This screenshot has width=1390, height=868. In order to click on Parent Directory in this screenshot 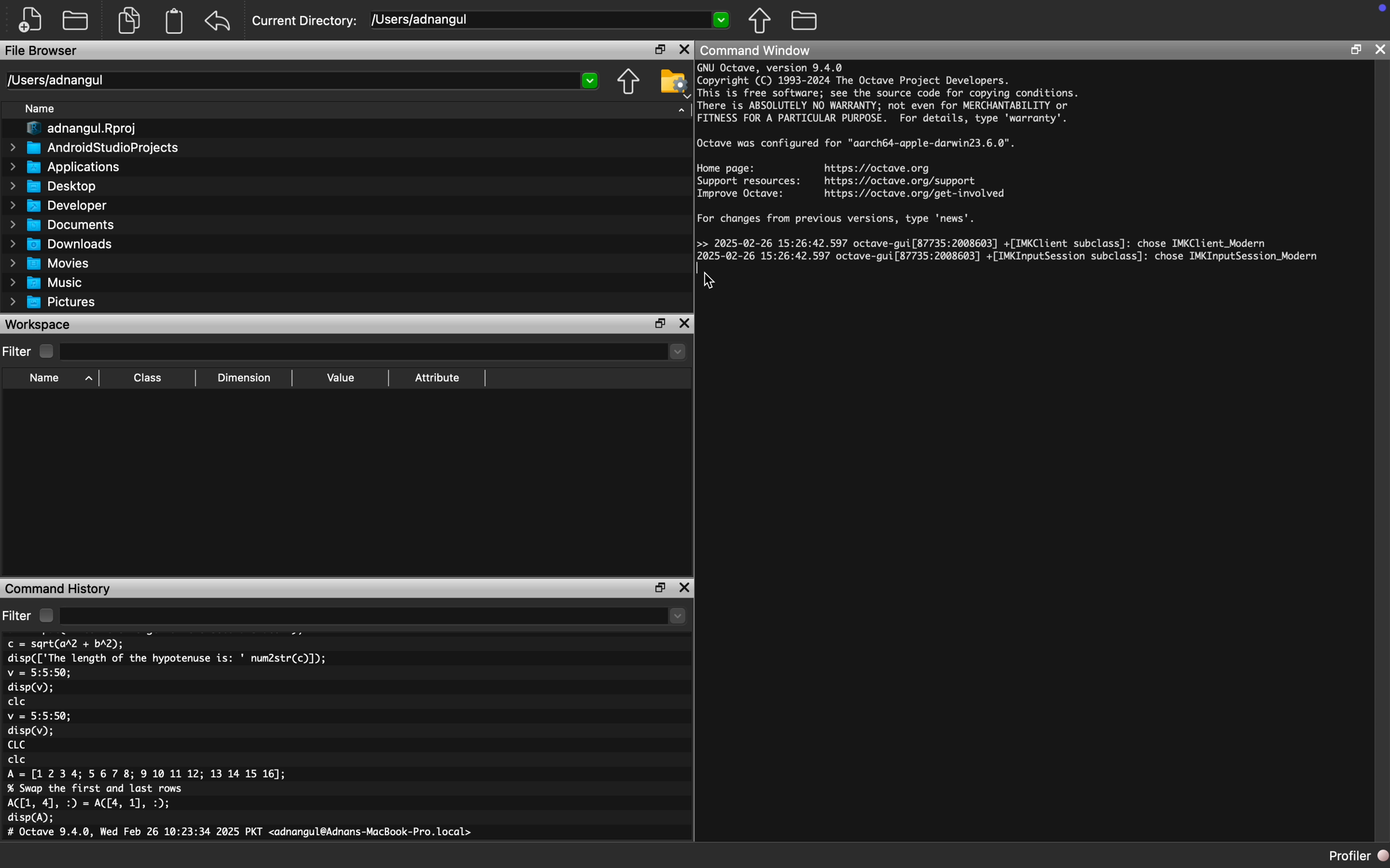, I will do `click(629, 83)`.